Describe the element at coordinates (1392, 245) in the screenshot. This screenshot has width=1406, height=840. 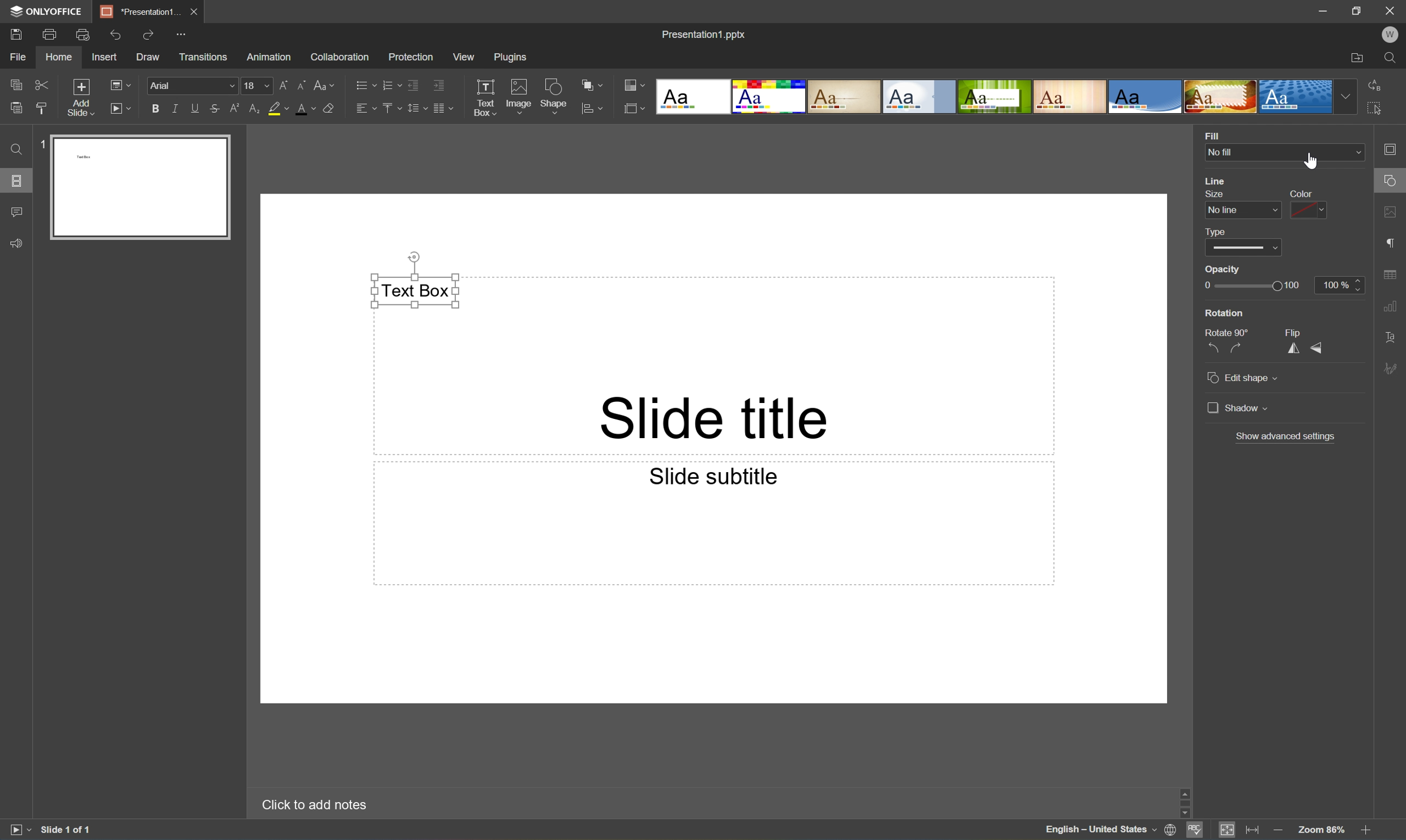
I see `Paragraph settings` at that location.